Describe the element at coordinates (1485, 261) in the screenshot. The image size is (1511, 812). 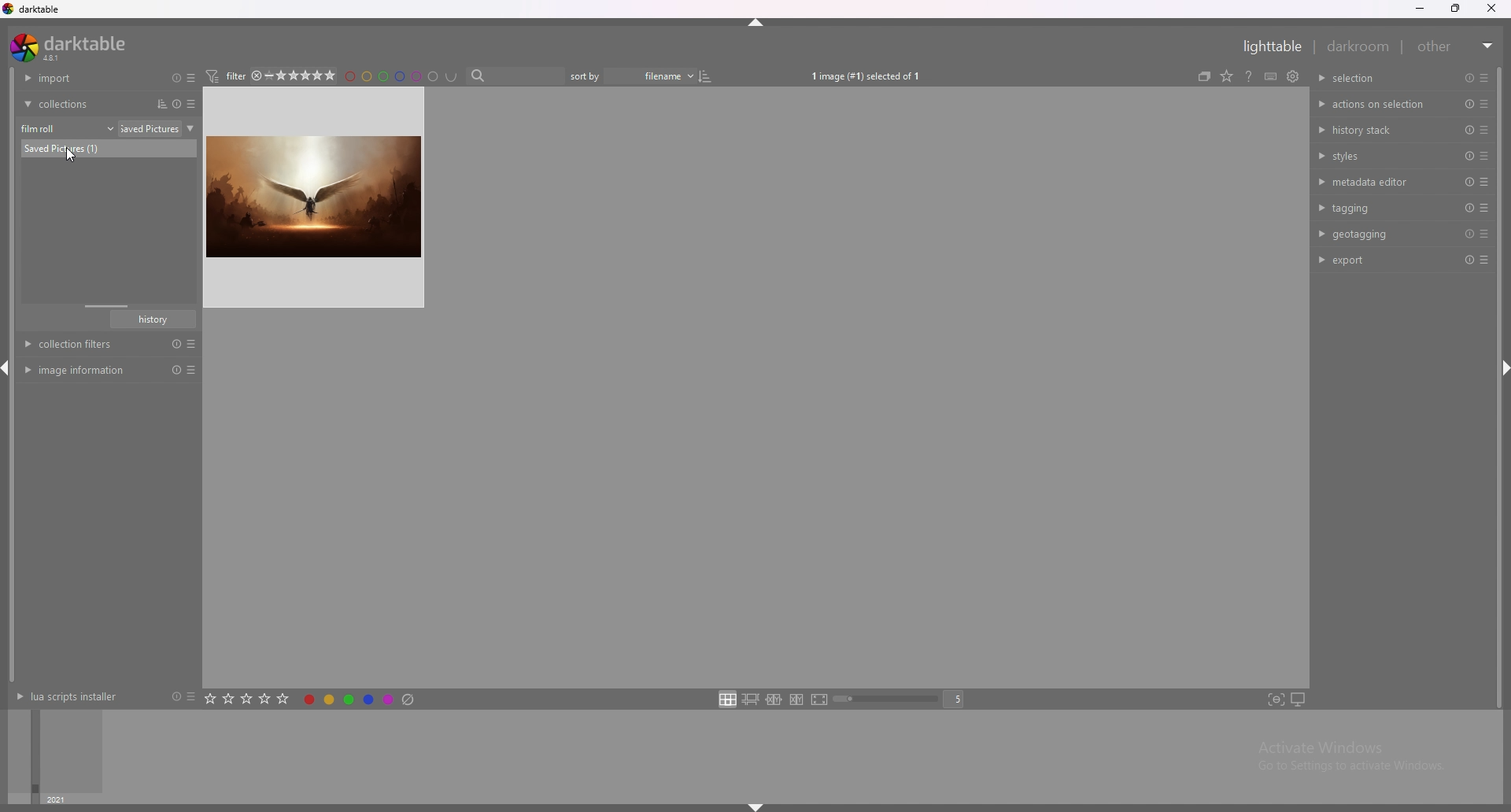
I see `presets` at that location.